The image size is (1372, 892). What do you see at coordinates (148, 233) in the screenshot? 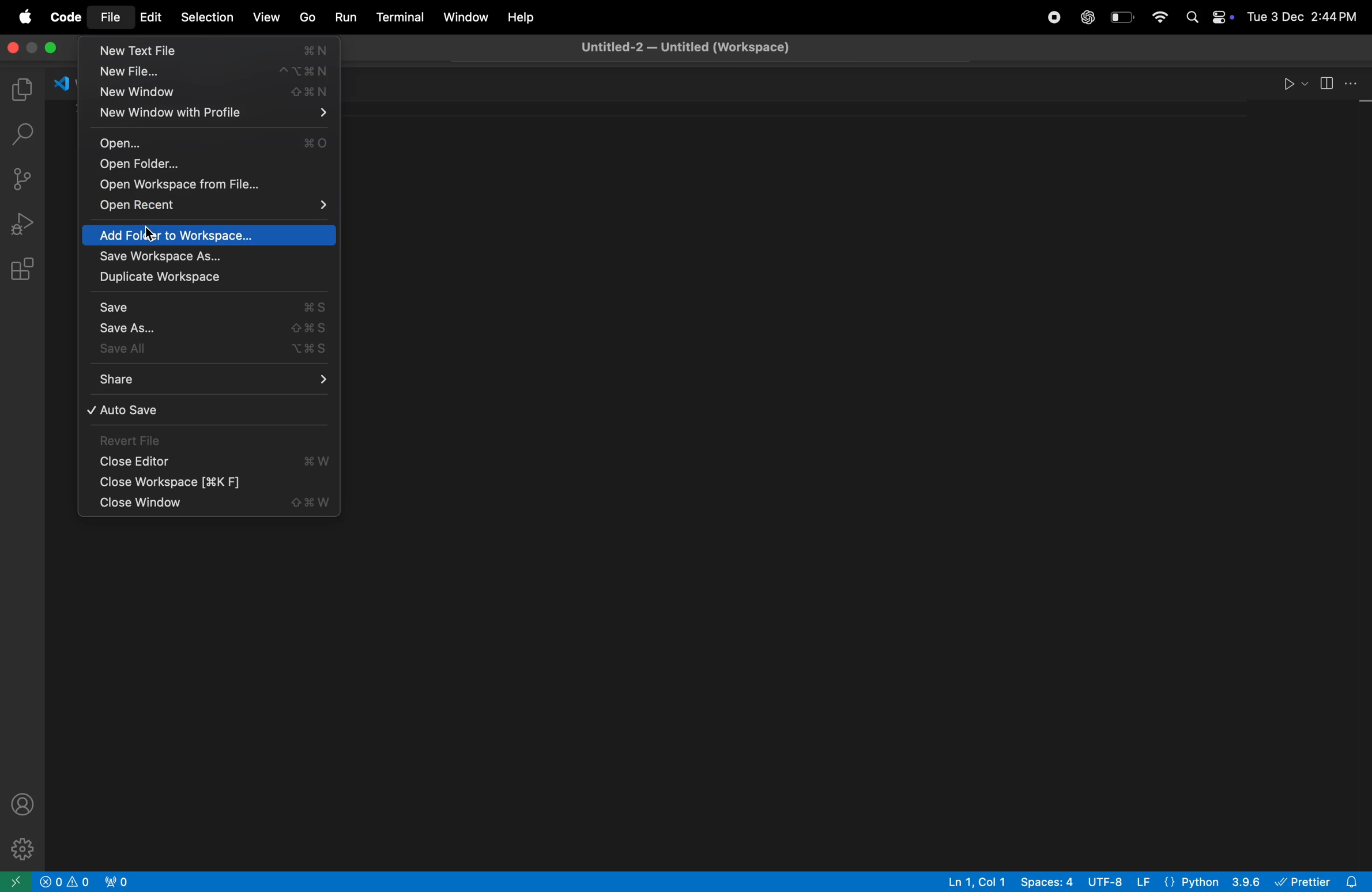
I see `cursor` at bounding box center [148, 233].